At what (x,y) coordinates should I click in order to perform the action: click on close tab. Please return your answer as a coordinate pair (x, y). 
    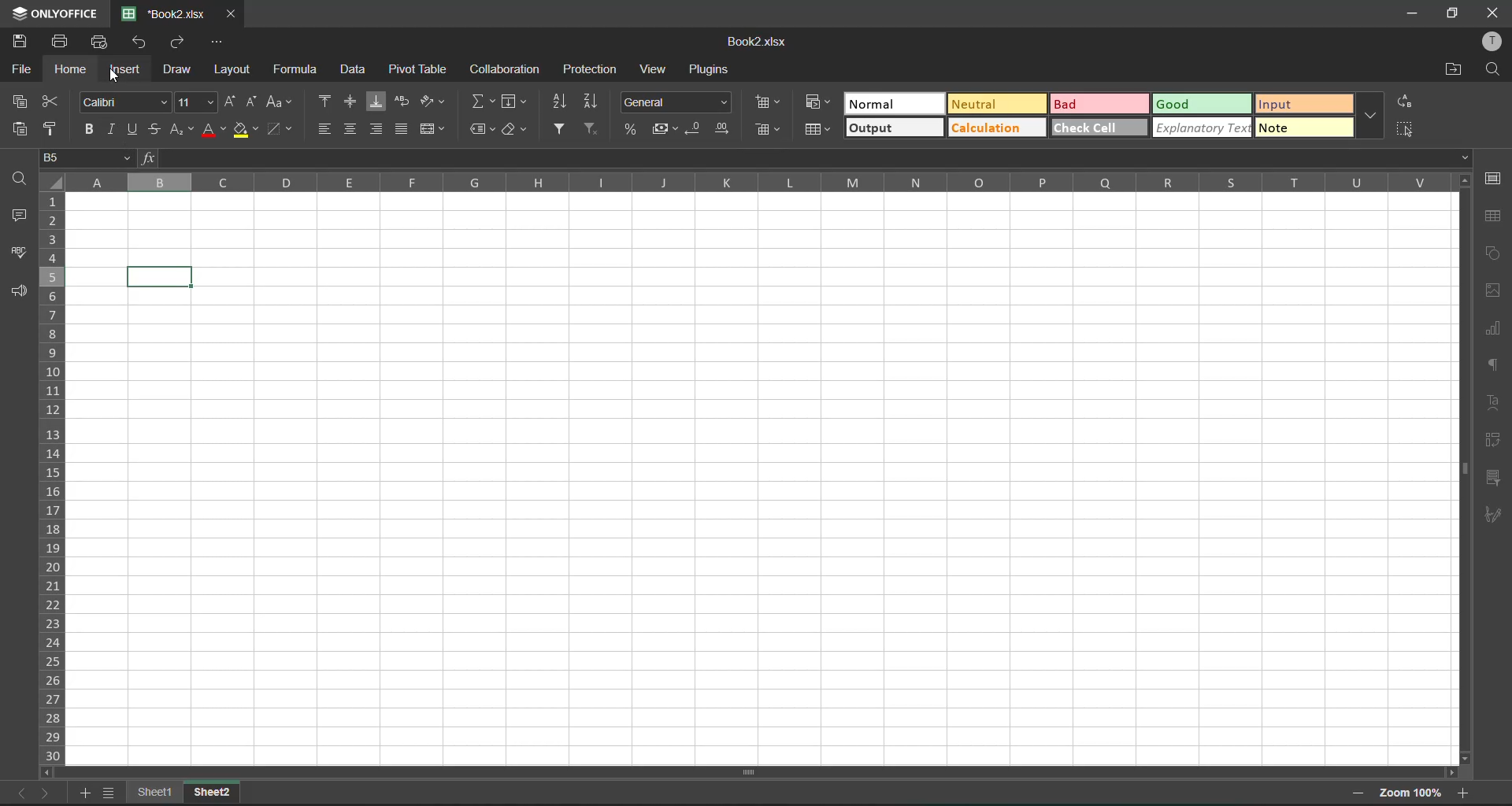
    Looking at the image, I should click on (232, 15).